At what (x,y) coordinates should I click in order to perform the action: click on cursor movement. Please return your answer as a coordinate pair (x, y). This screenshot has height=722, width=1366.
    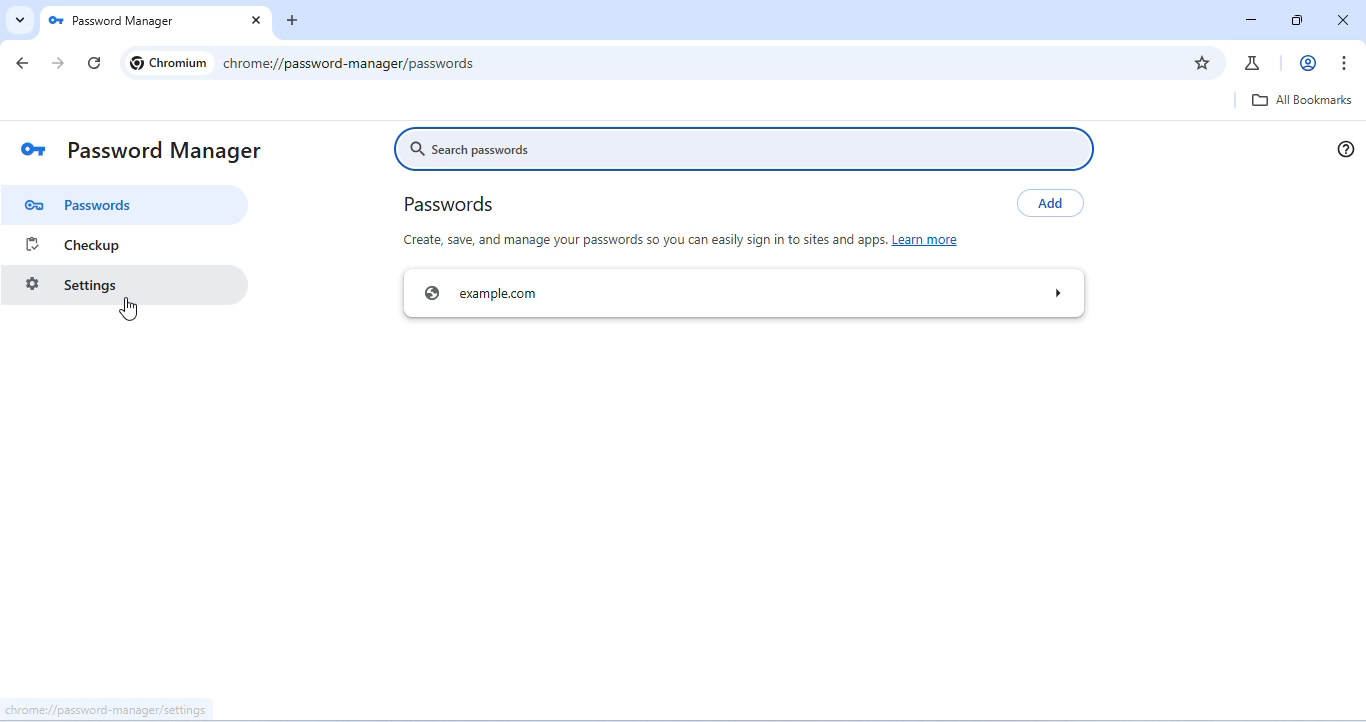
    Looking at the image, I should click on (129, 309).